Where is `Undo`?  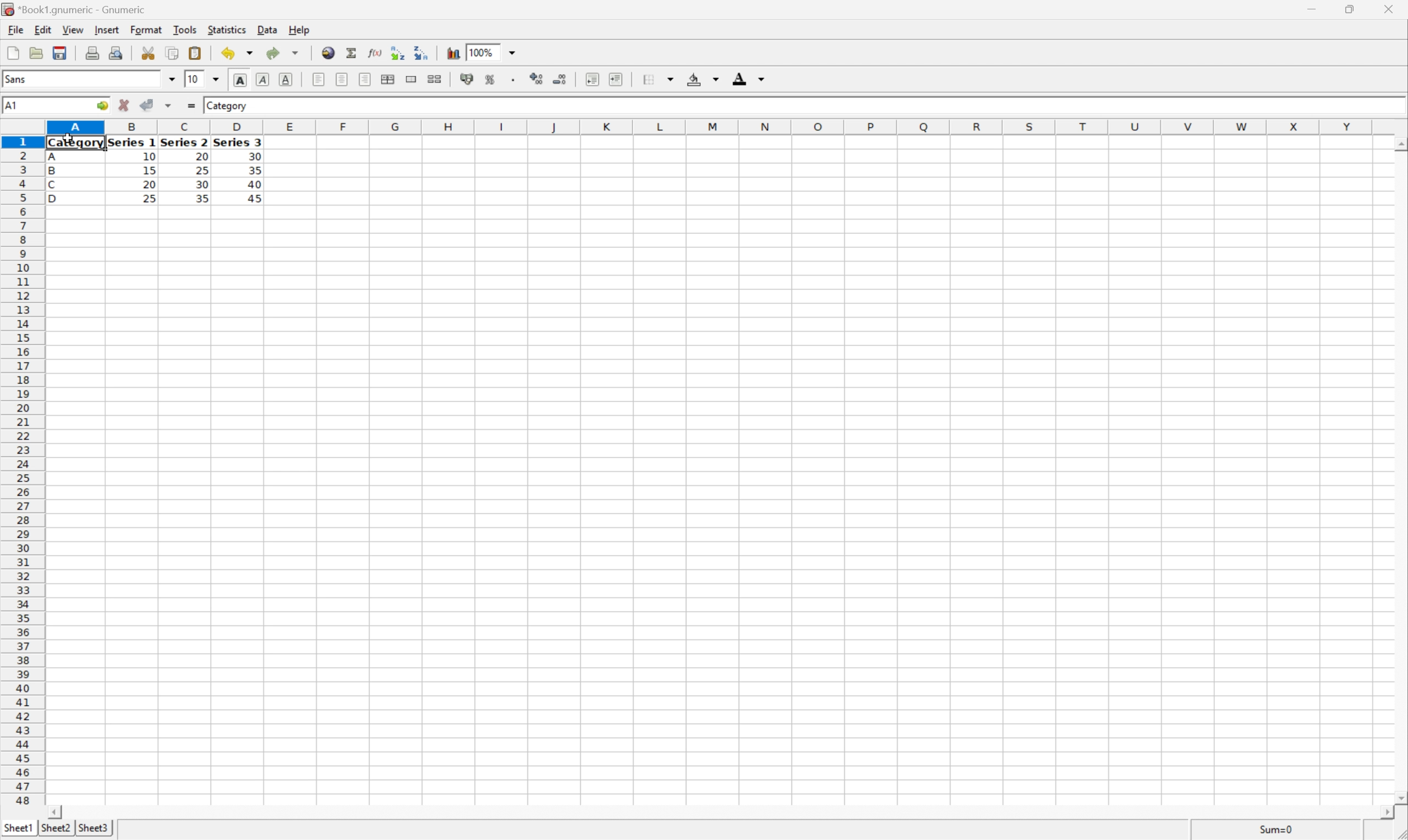 Undo is located at coordinates (238, 51).